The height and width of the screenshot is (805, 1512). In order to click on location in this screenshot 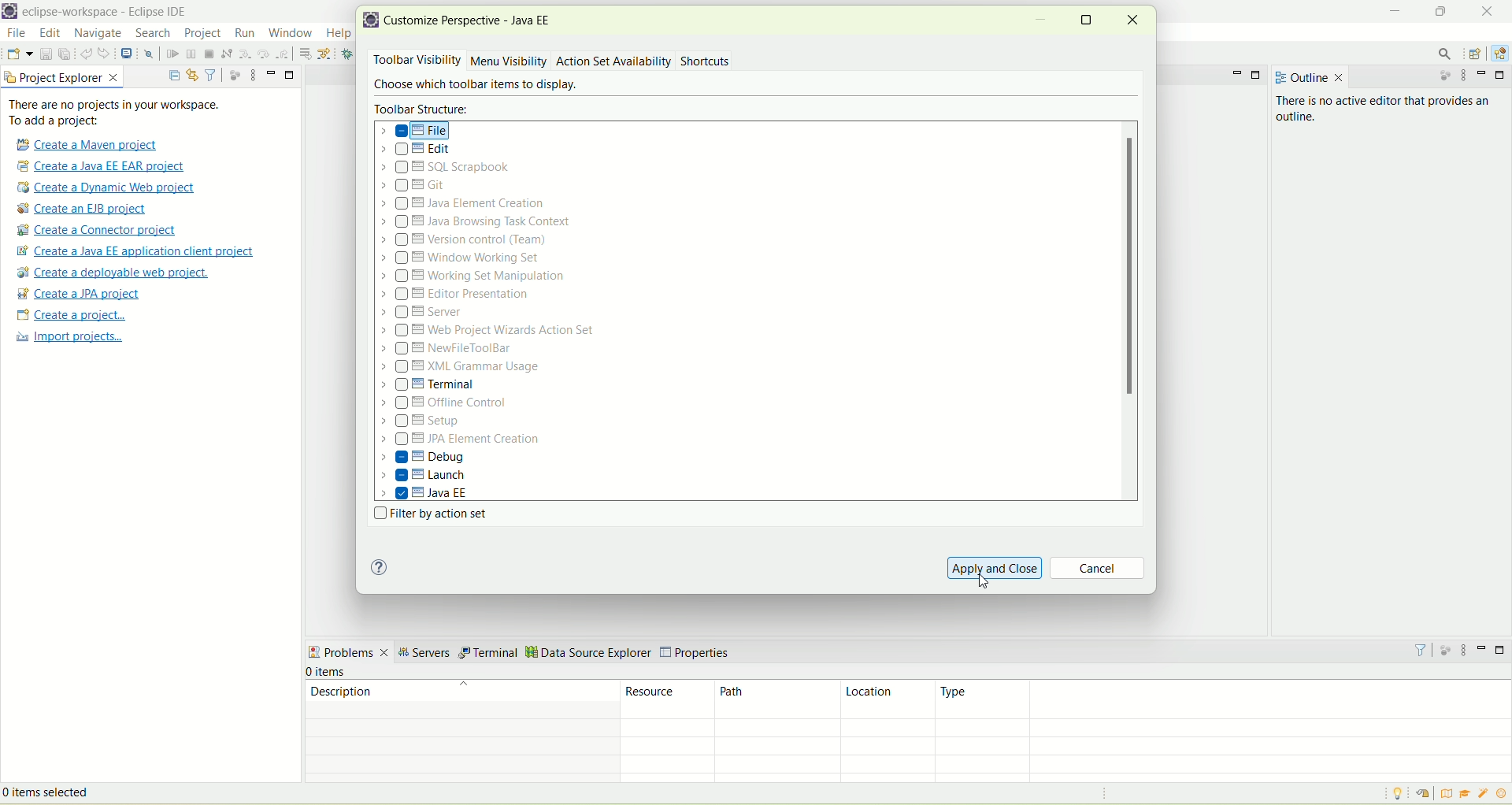, I will do `click(888, 700)`.